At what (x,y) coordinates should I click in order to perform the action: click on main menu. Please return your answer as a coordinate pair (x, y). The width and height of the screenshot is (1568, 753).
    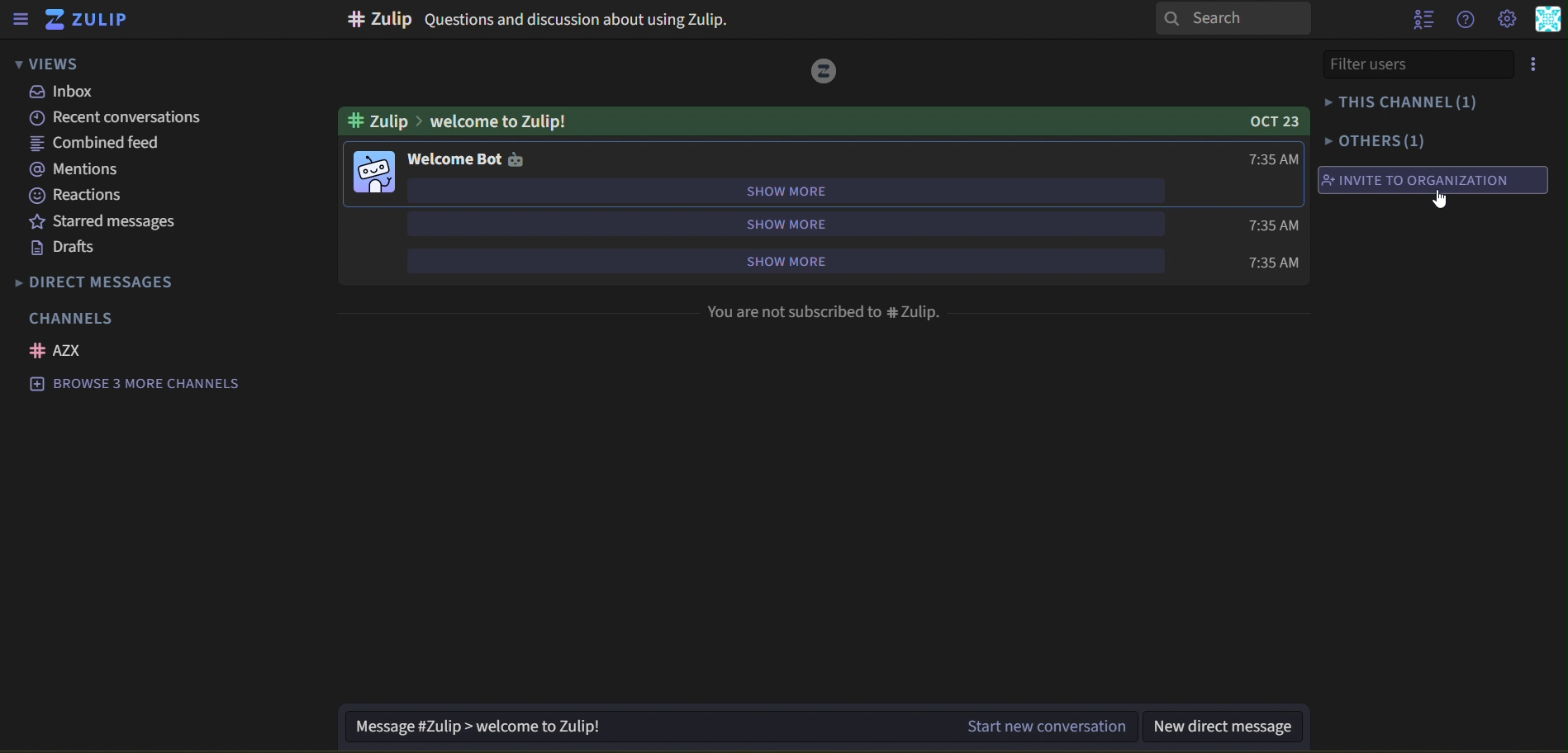
    Looking at the image, I should click on (1507, 19).